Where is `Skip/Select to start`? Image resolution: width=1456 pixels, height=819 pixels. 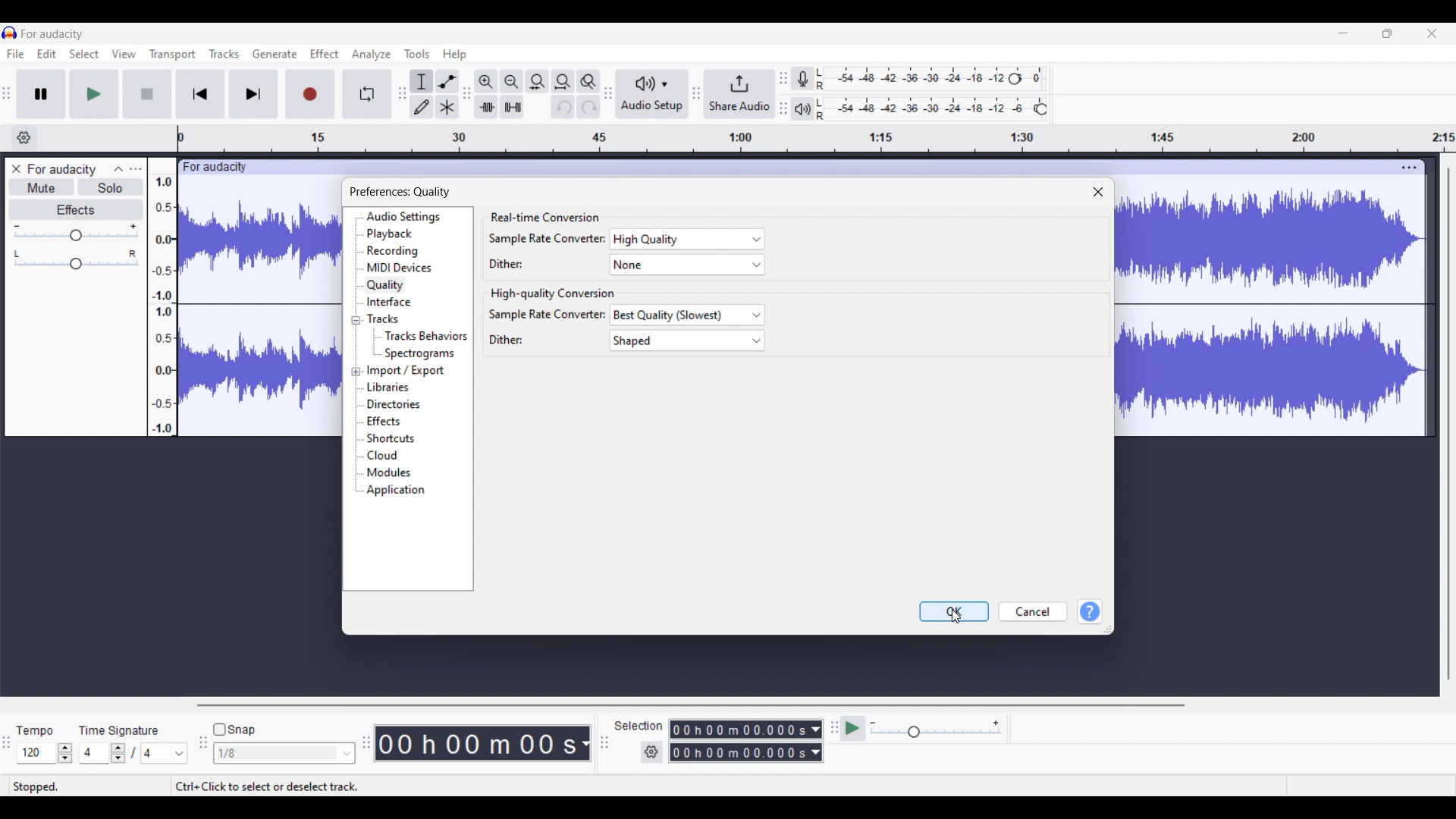
Skip/Select to start is located at coordinates (200, 94).